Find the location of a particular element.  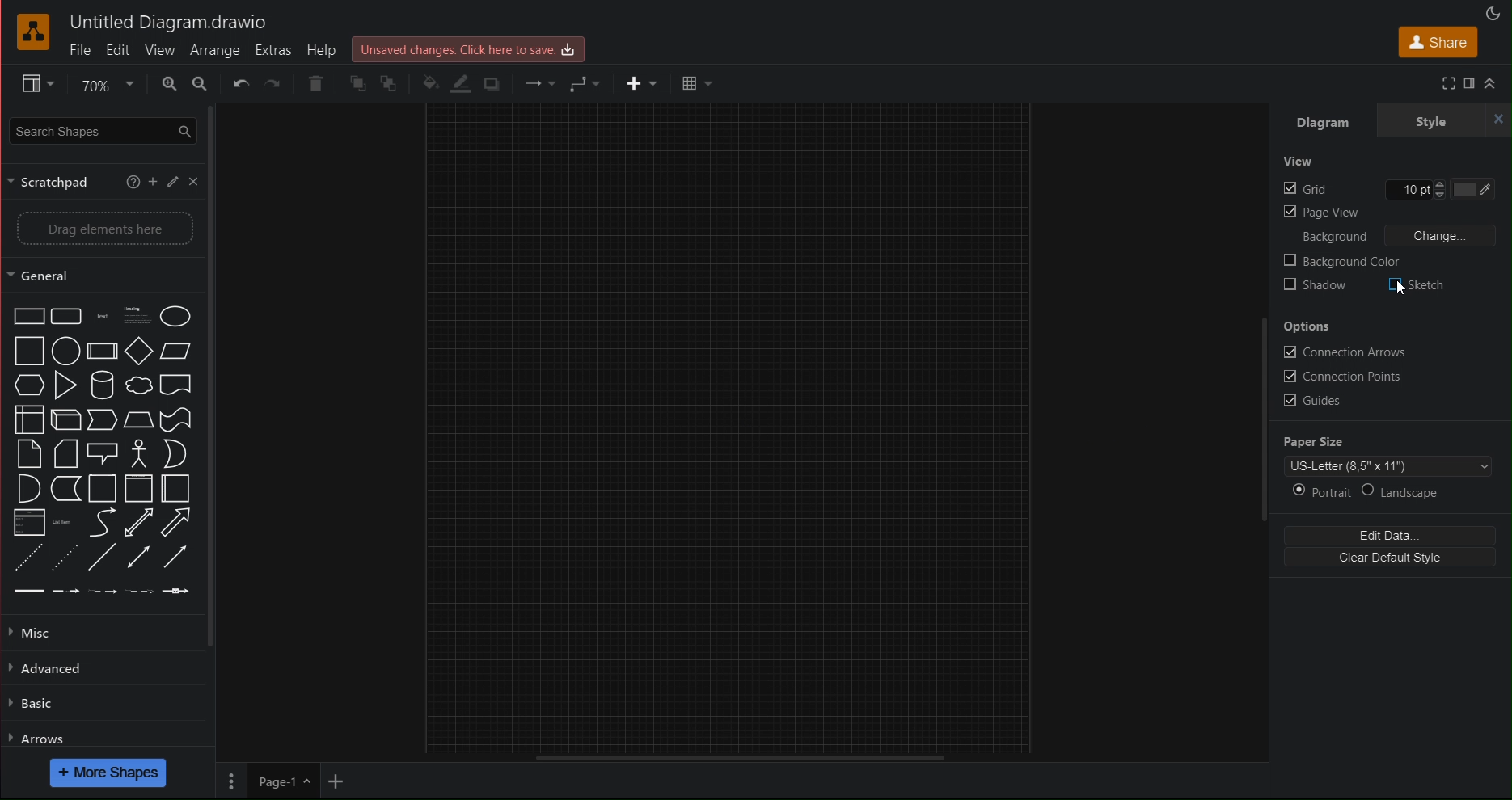

cursor is located at coordinates (1400, 288).